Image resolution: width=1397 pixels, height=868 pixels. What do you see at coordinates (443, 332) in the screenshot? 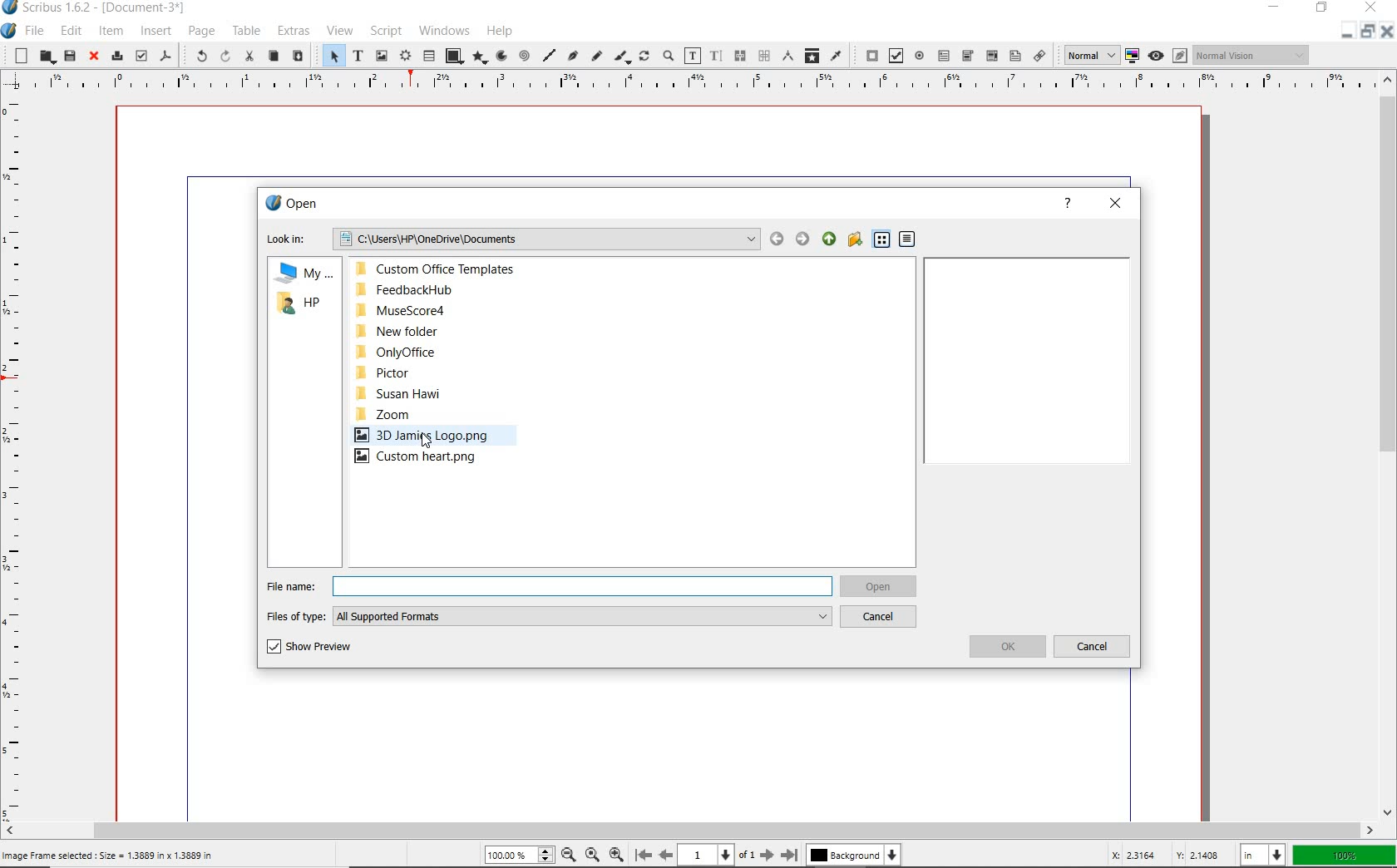
I see `New folder` at bounding box center [443, 332].